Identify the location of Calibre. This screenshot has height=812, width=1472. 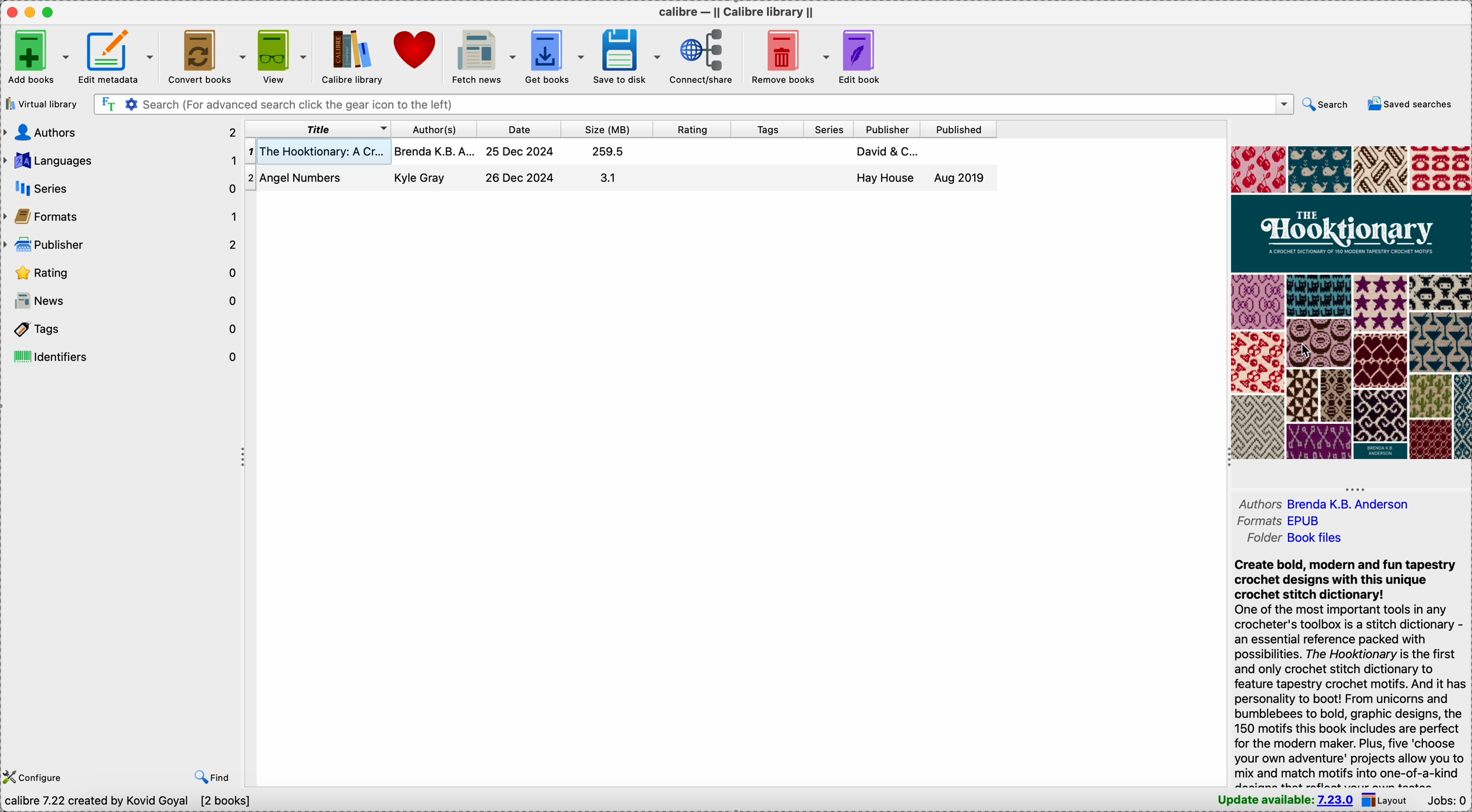
(737, 12).